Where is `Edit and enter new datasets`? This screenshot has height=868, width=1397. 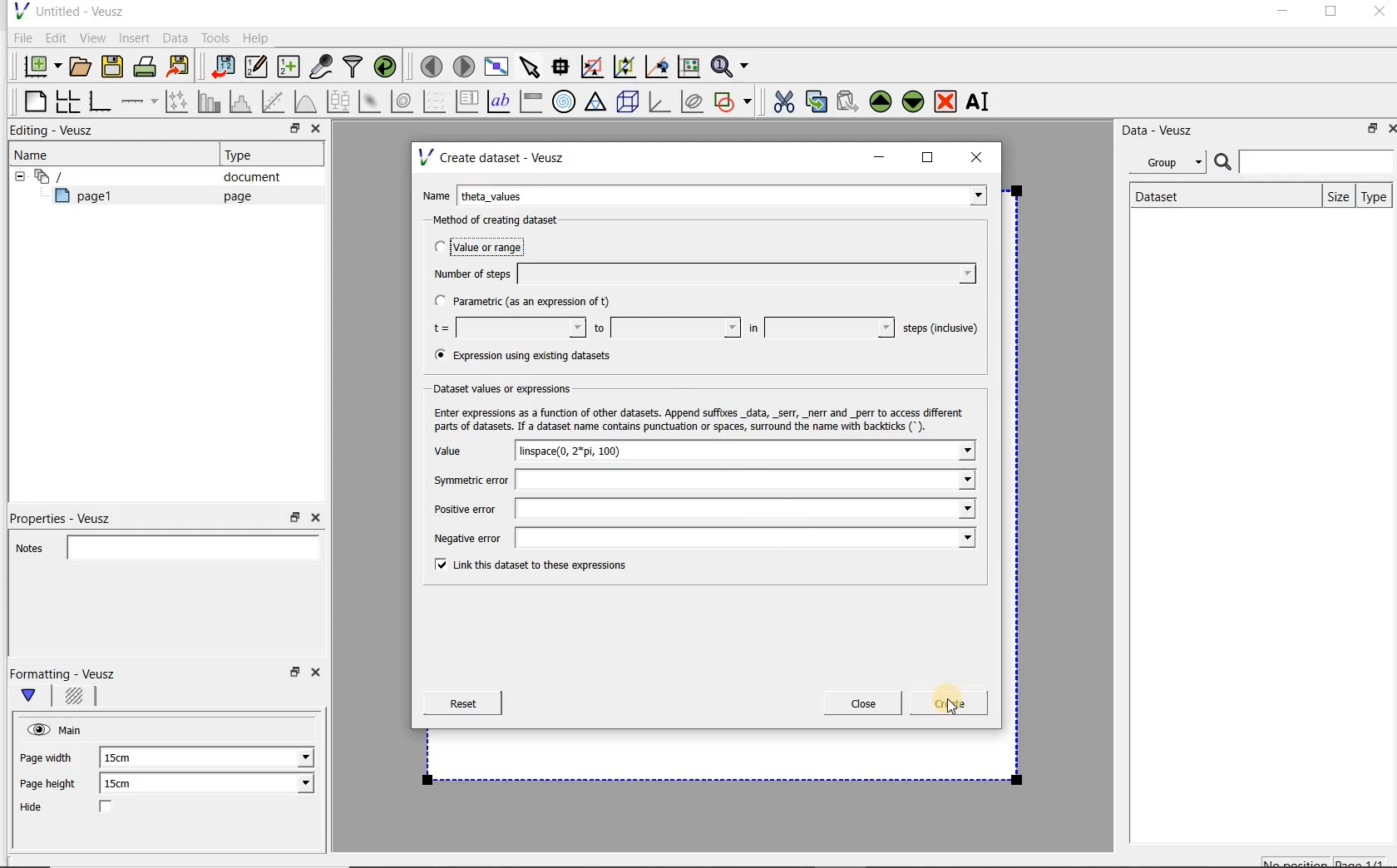 Edit and enter new datasets is located at coordinates (257, 67).